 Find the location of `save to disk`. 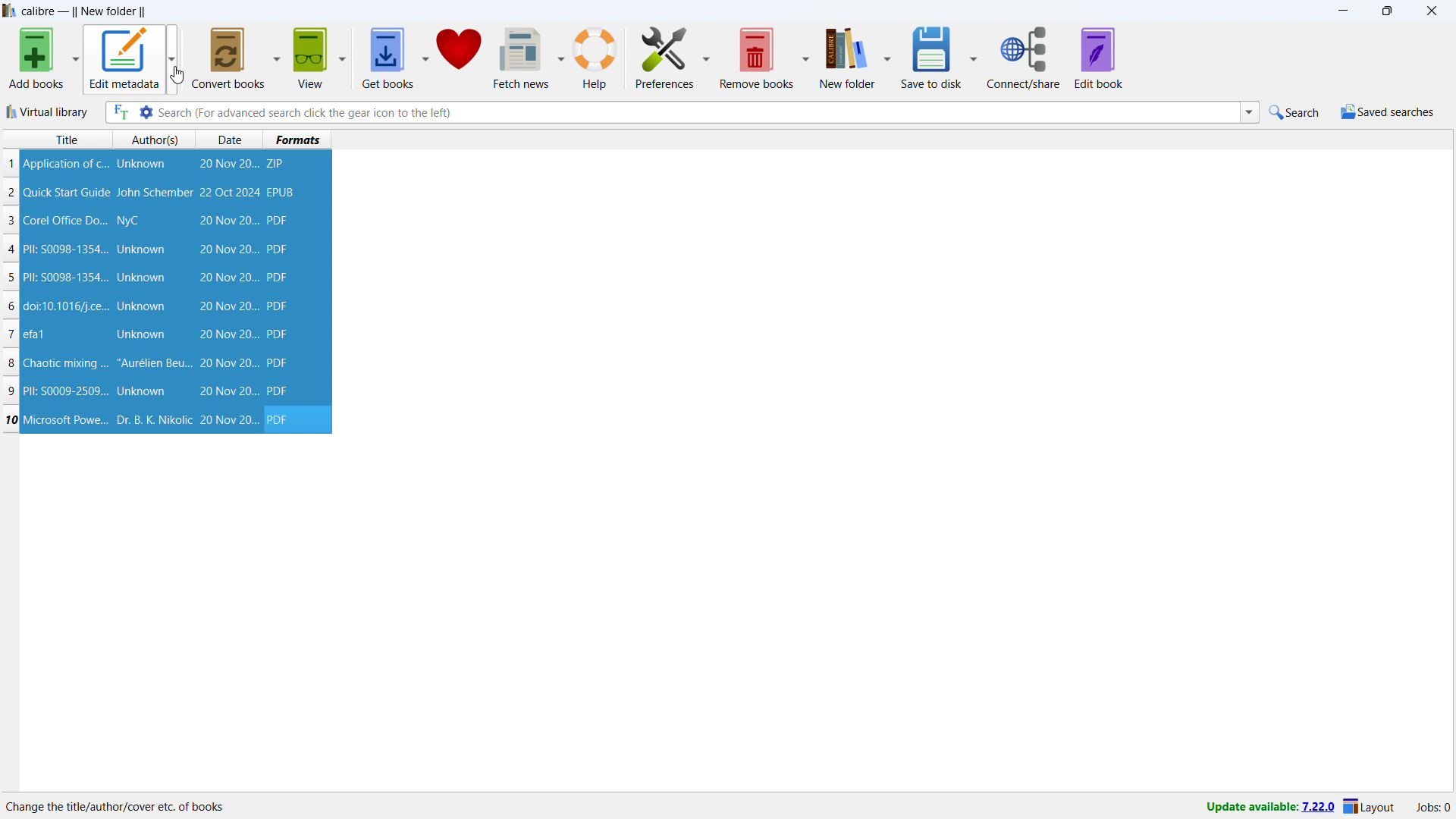

save to disk is located at coordinates (933, 56).